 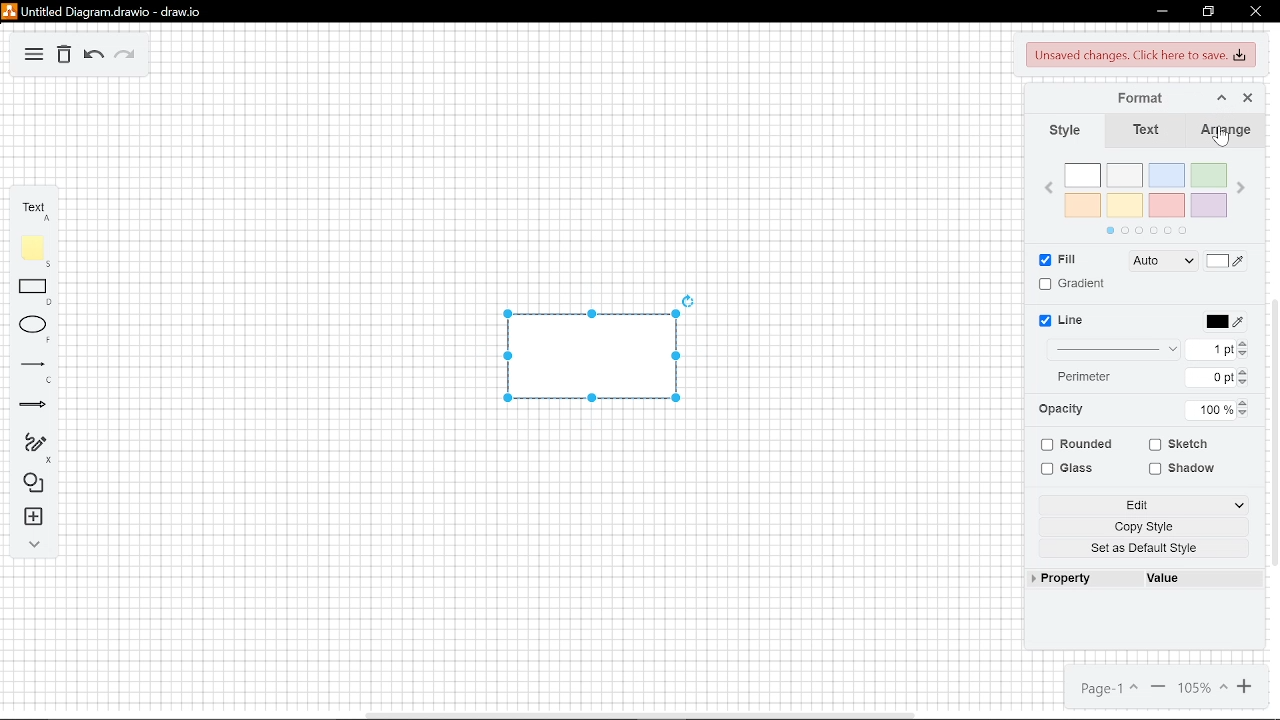 I want to click on current zoom, so click(x=1245, y=686).